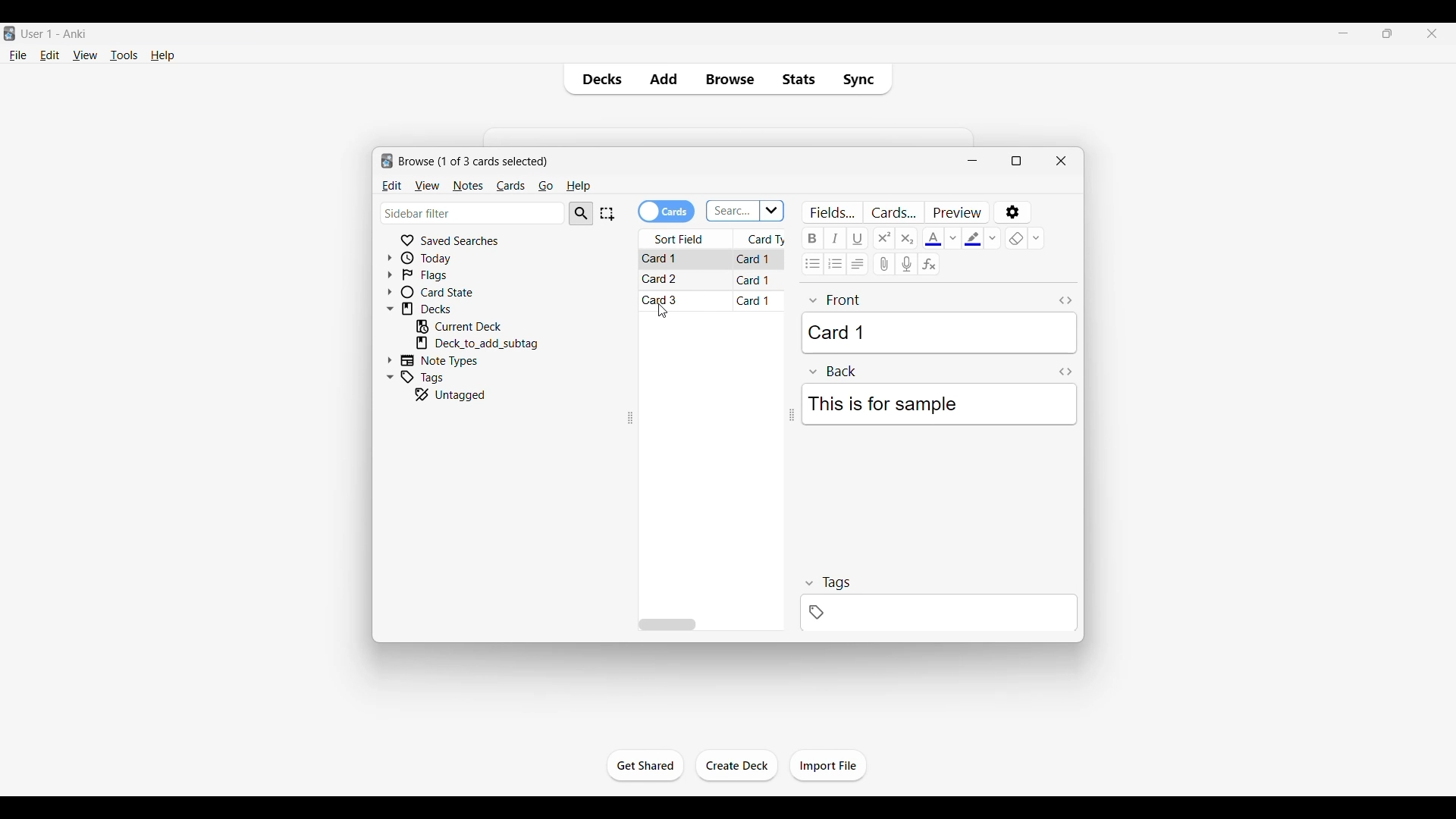 Image resolution: width=1456 pixels, height=819 pixels. What do you see at coordinates (686, 239) in the screenshot?
I see `Sort field column` at bounding box center [686, 239].